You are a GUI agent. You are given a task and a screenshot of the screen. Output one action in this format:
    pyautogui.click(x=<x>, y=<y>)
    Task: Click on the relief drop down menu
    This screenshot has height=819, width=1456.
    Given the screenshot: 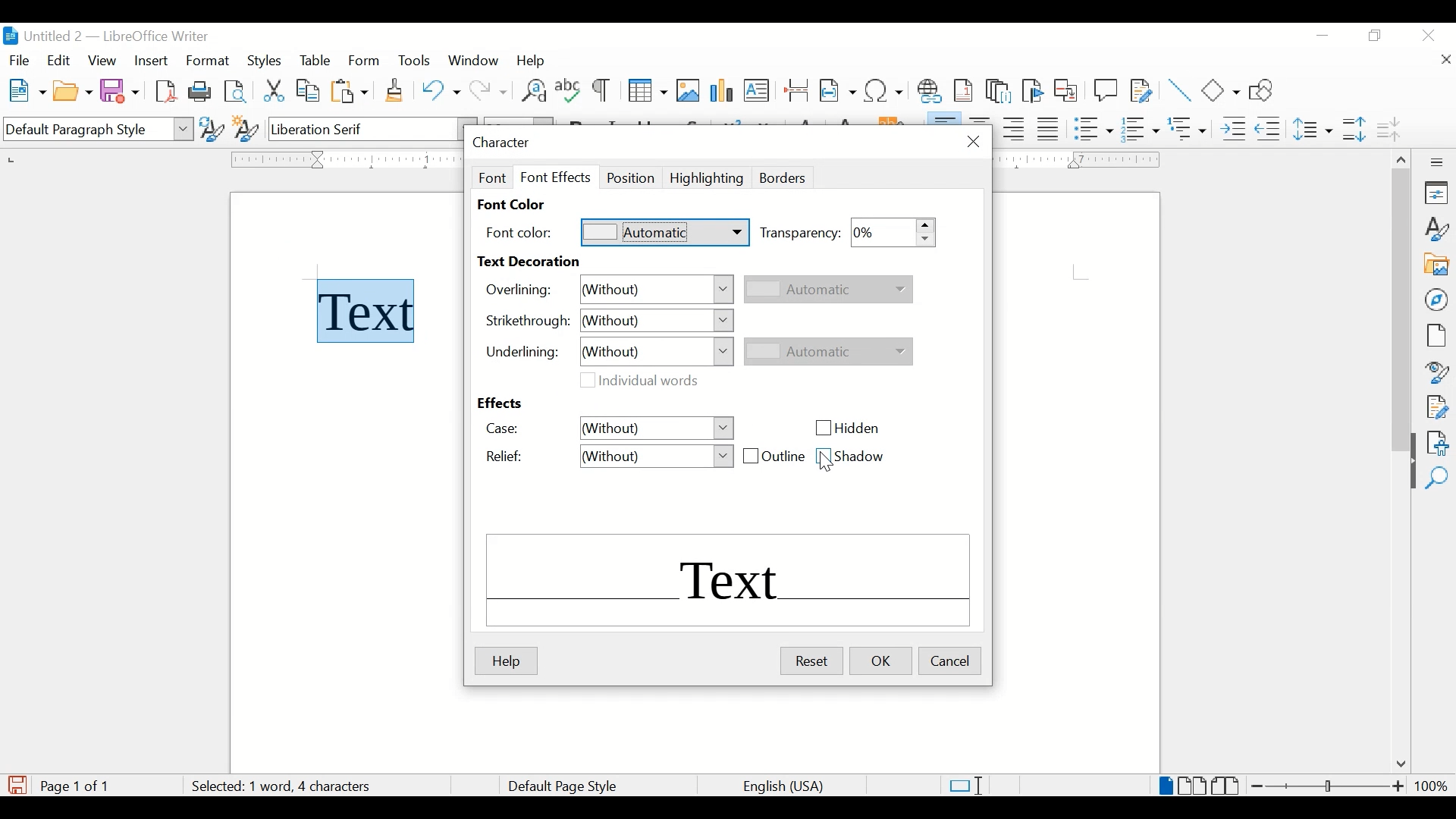 What is the action you would take?
    pyautogui.click(x=656, y=456)
    